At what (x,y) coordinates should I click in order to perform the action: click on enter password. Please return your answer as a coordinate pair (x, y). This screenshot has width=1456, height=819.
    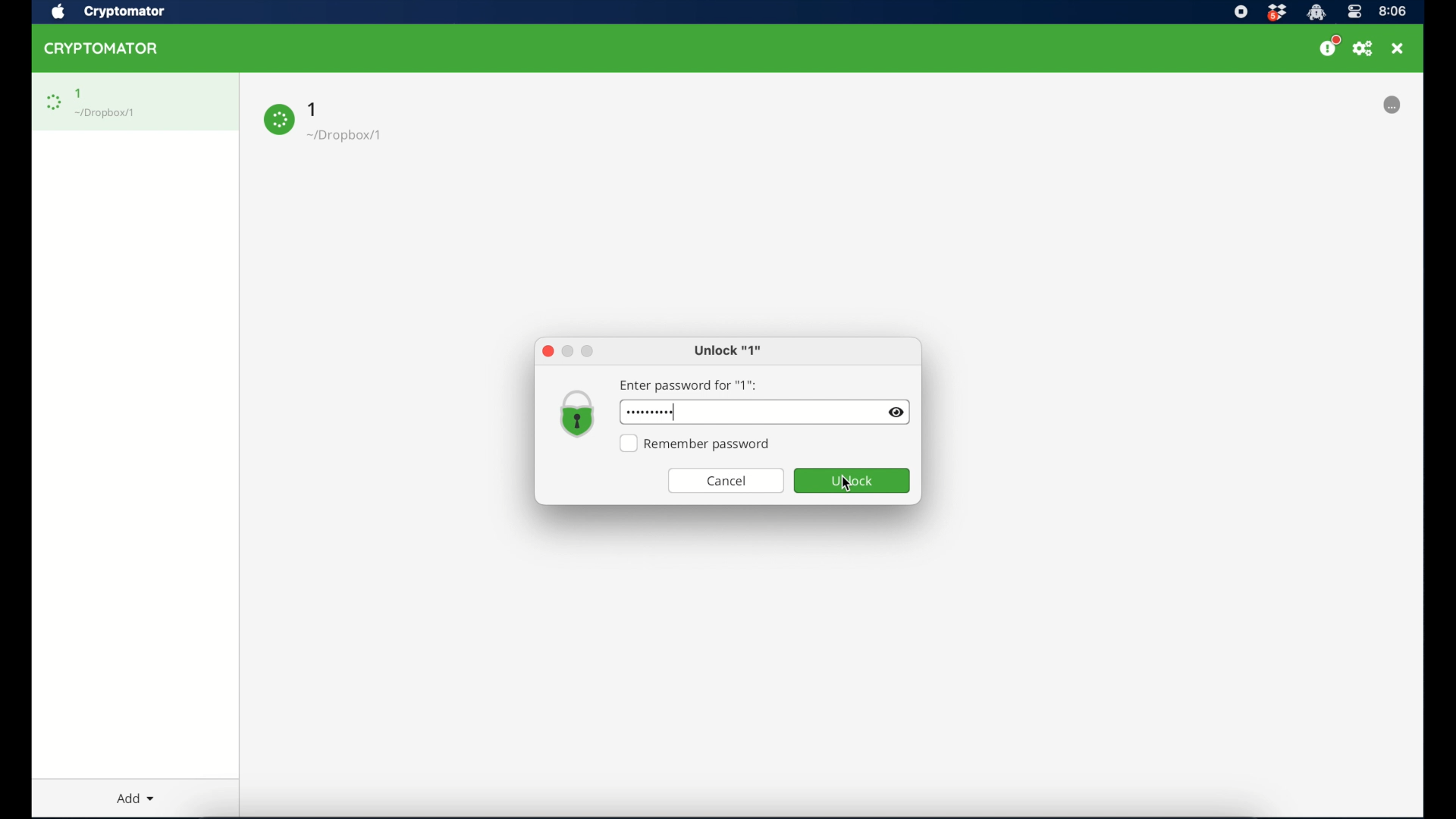
    Looking at the image, I should click on (689, 385).